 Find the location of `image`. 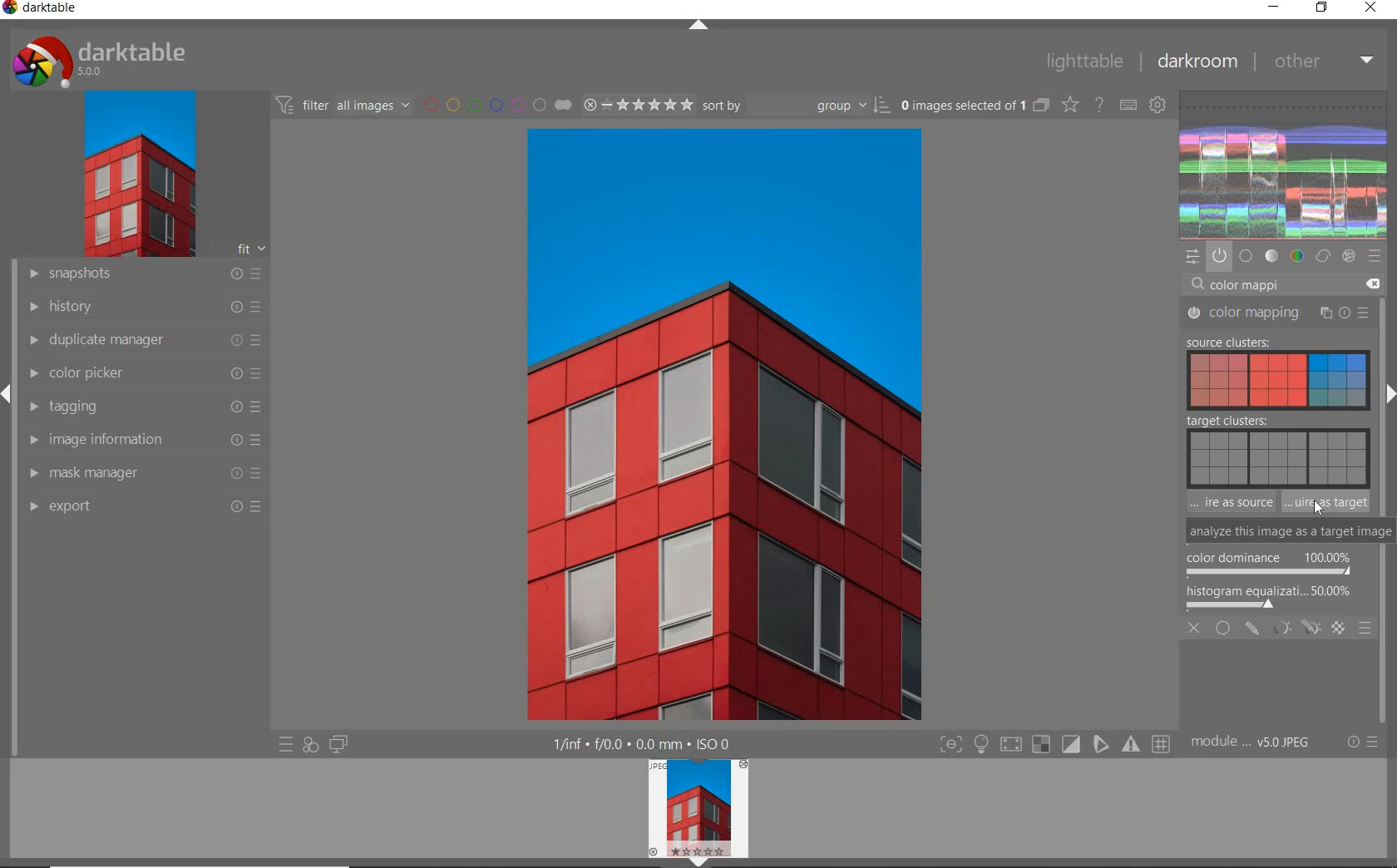

image is located at coordinates (136, 174).